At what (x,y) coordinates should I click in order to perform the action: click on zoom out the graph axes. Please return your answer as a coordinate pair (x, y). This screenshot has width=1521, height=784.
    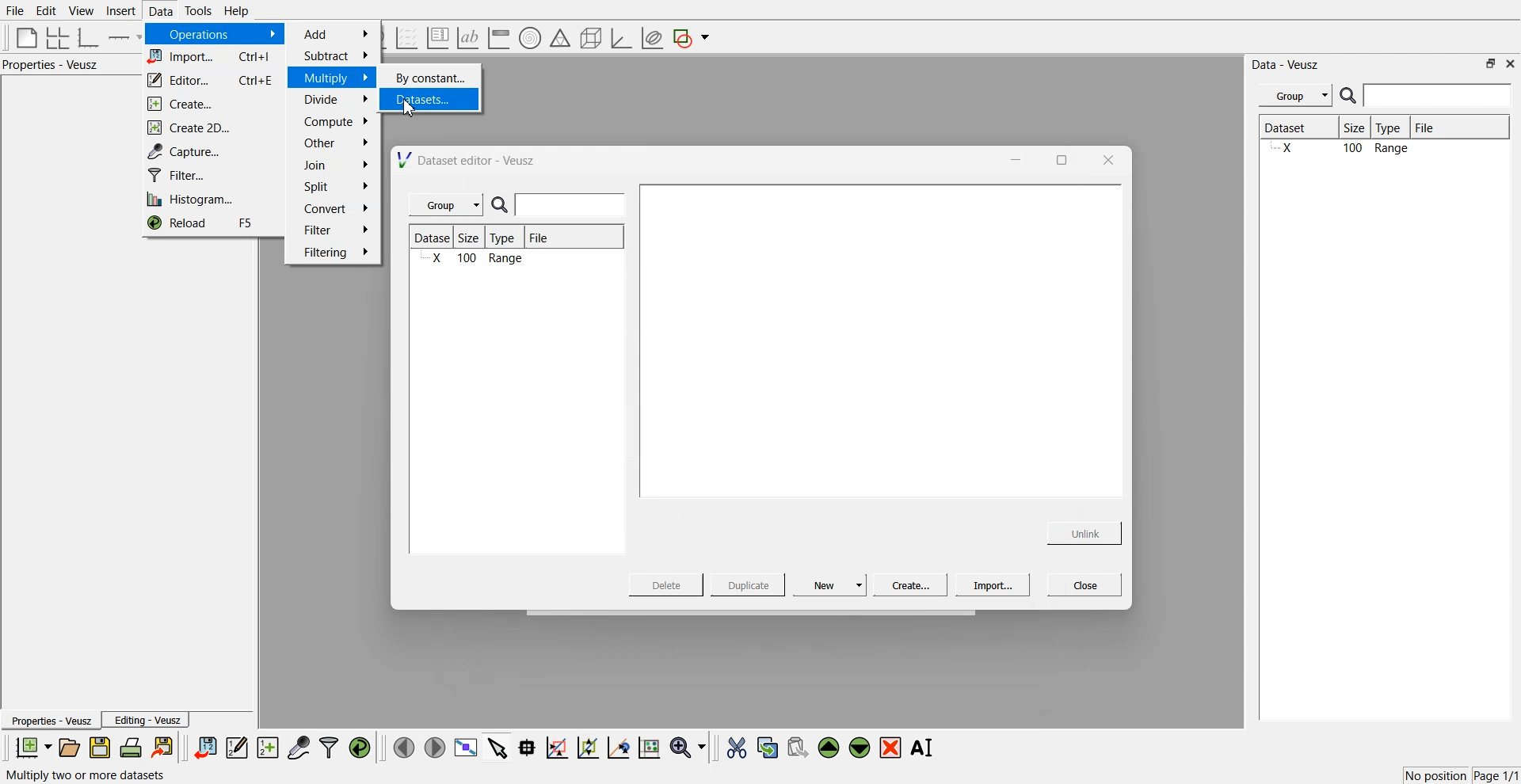
    Looking at the image, I should click on (586, 747).